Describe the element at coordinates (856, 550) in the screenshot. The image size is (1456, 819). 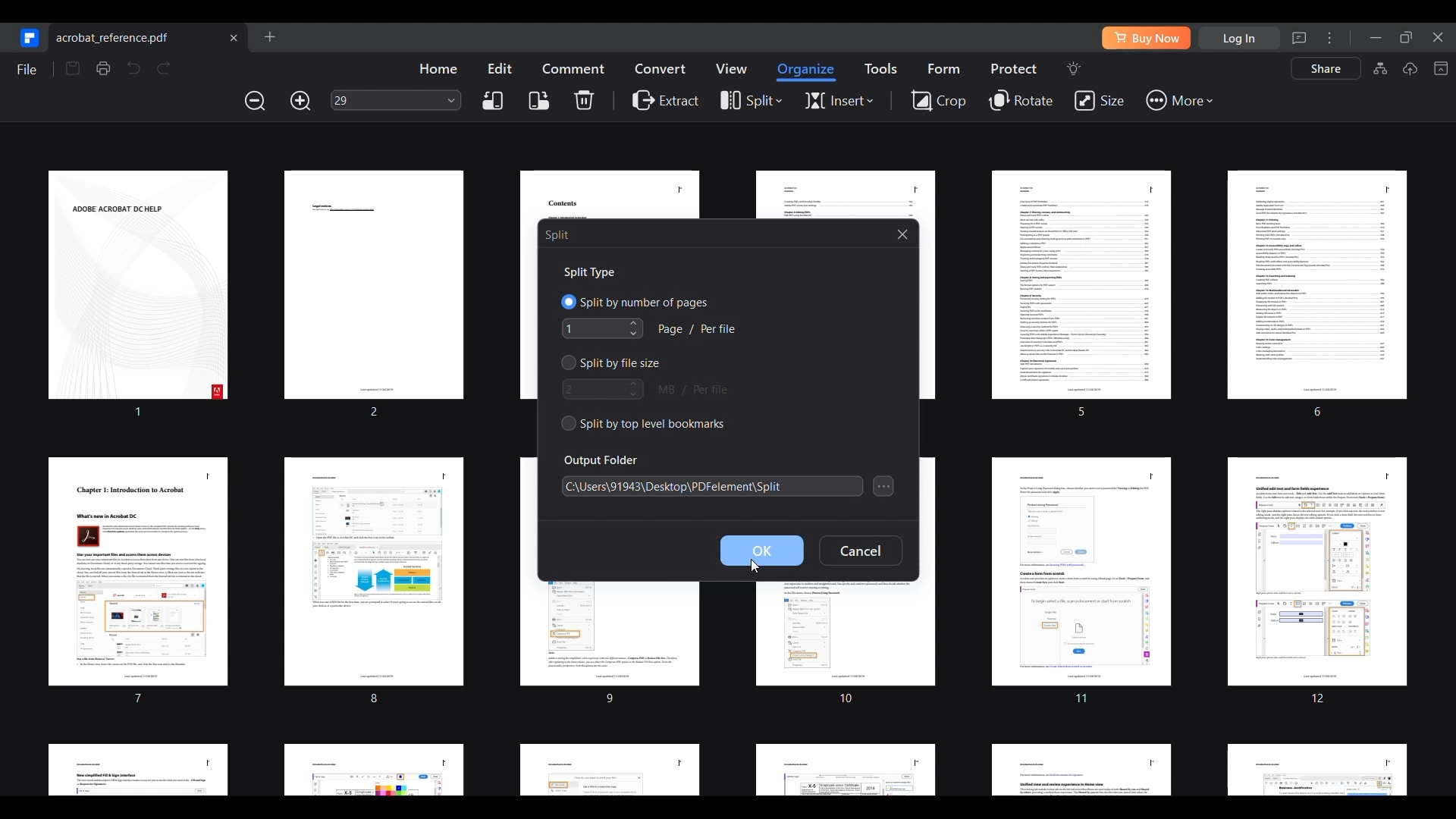
I see `Cancel` at that location.